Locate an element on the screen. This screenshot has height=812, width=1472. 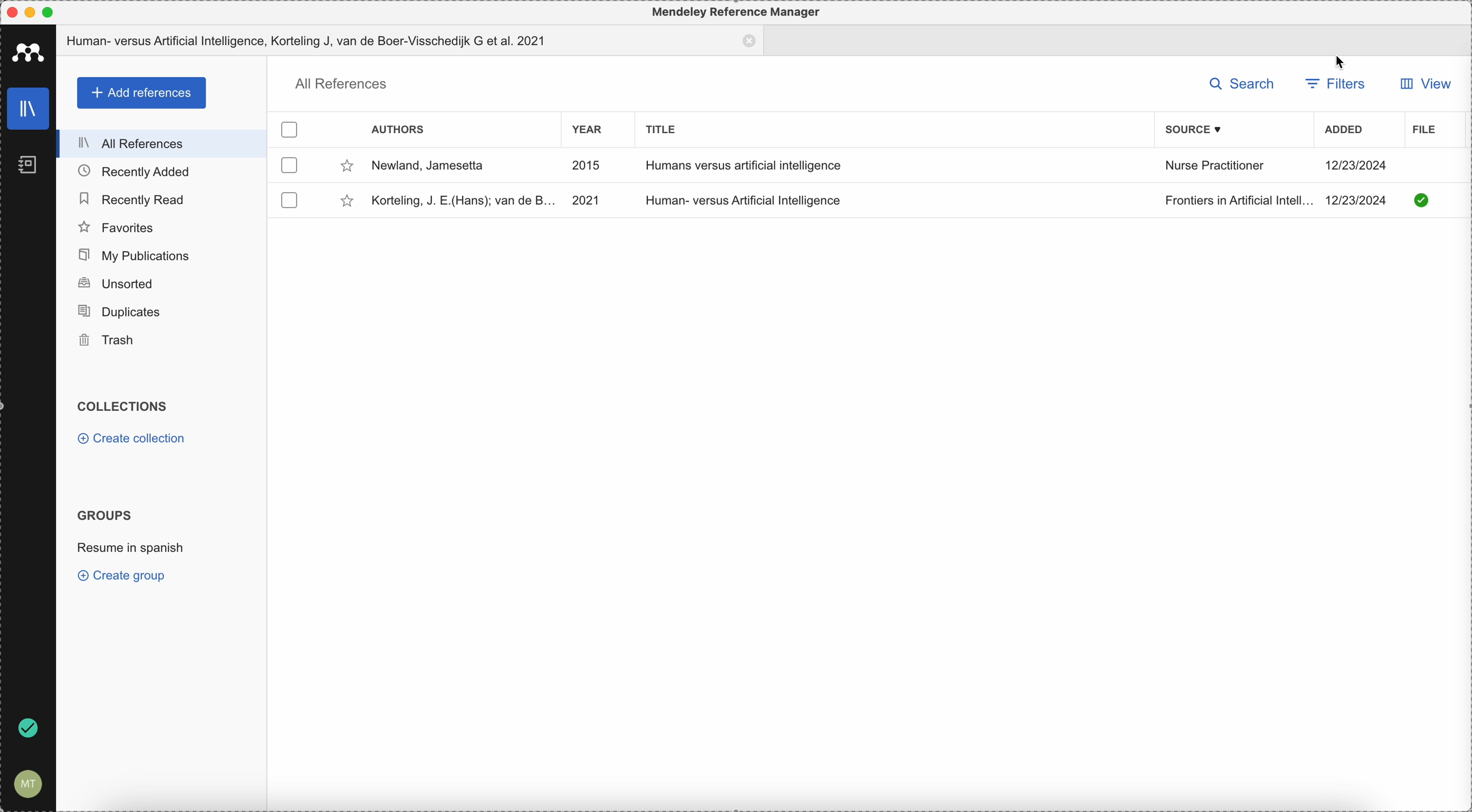
2021 is located at coordinates (586, 201).